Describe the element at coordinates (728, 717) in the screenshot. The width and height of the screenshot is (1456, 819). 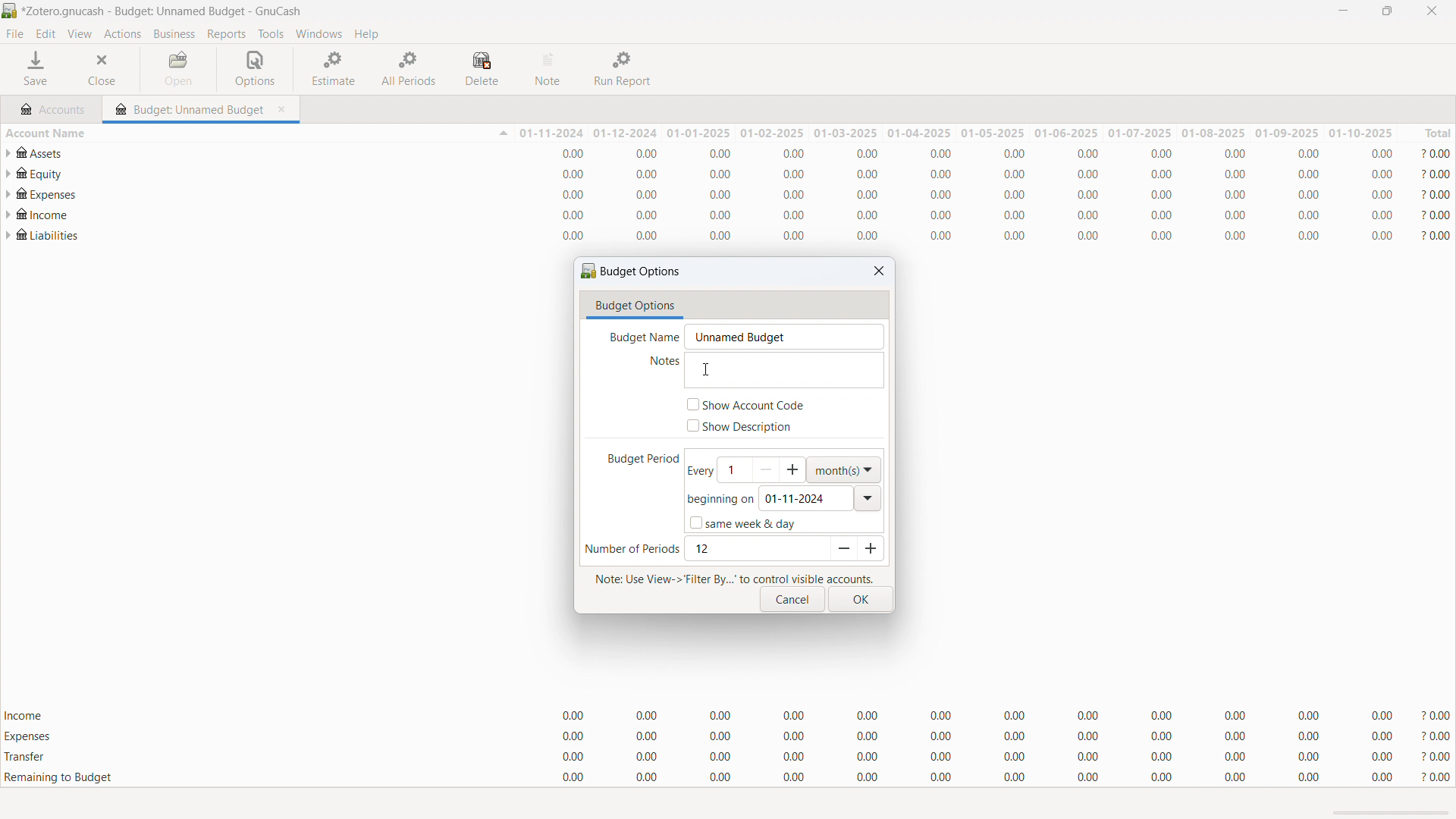
I see `Income totals` at that location.